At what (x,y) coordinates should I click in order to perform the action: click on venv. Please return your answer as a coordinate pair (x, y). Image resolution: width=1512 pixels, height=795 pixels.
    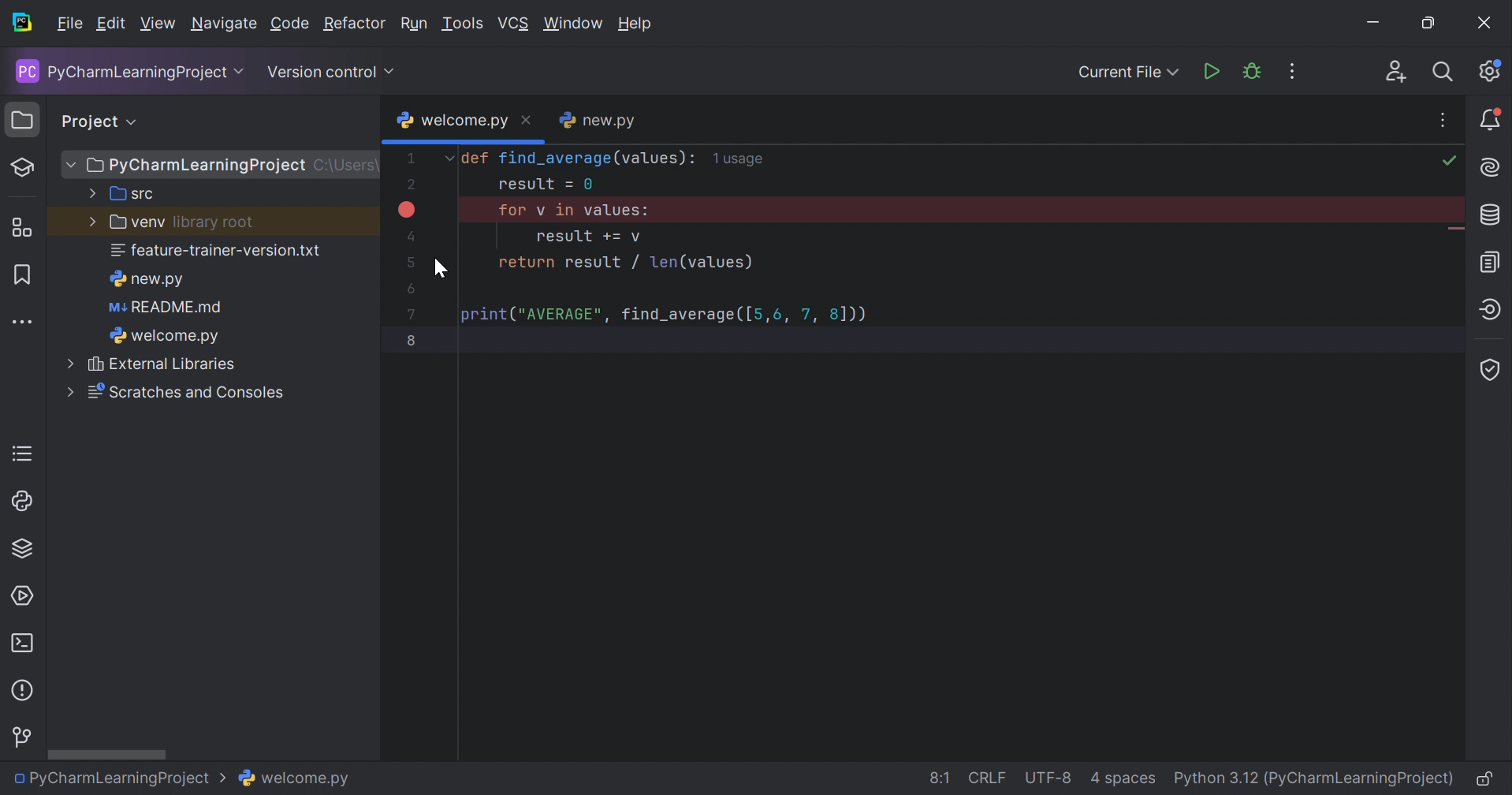
    Looking at the image, I should click on (124, 223).